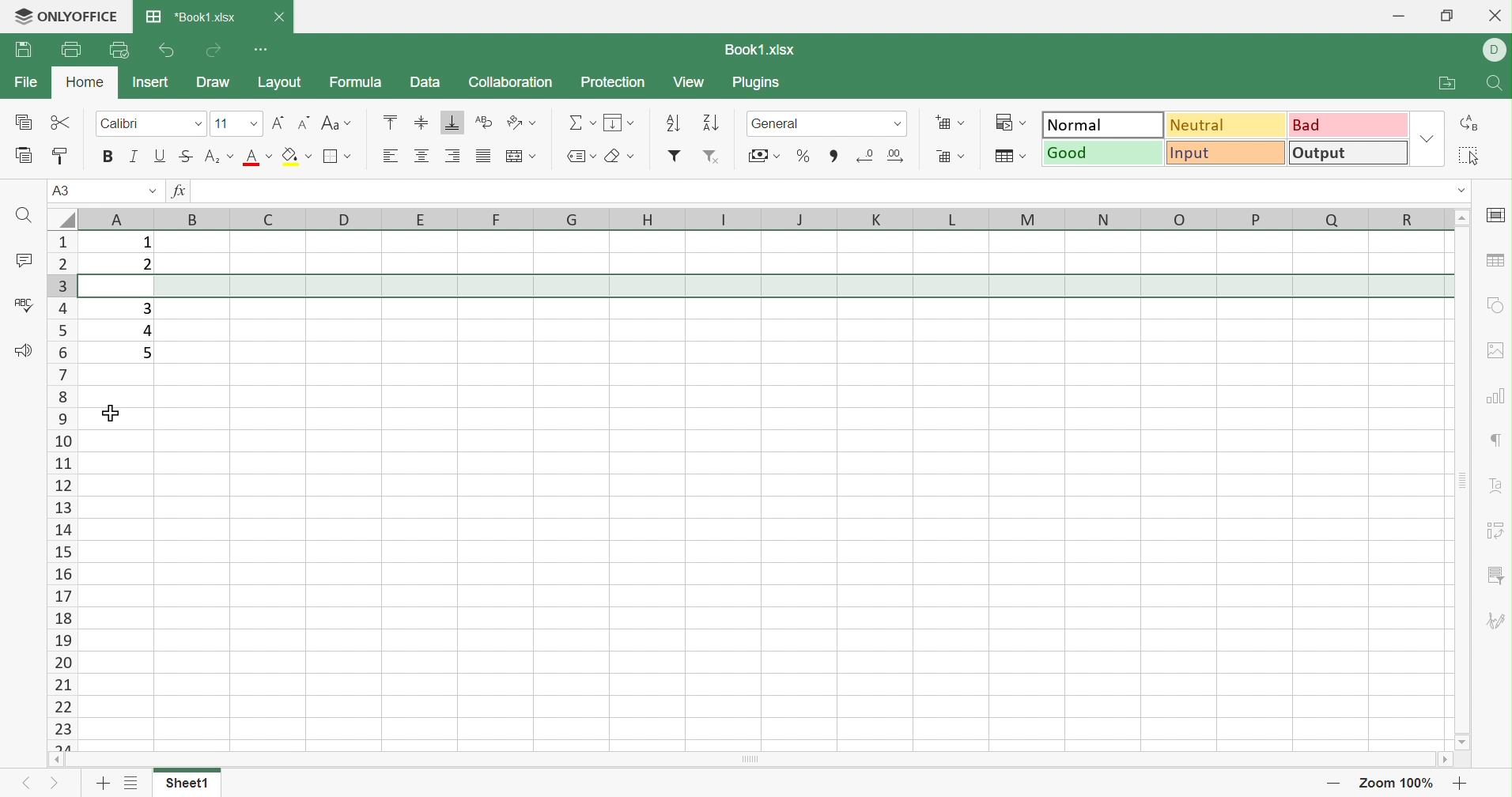 This screenshot has height=797, width=1512. What do you see at coordinates (577, 121) in the screenshot?
I see `Summation` at bounding box center [577, 121].